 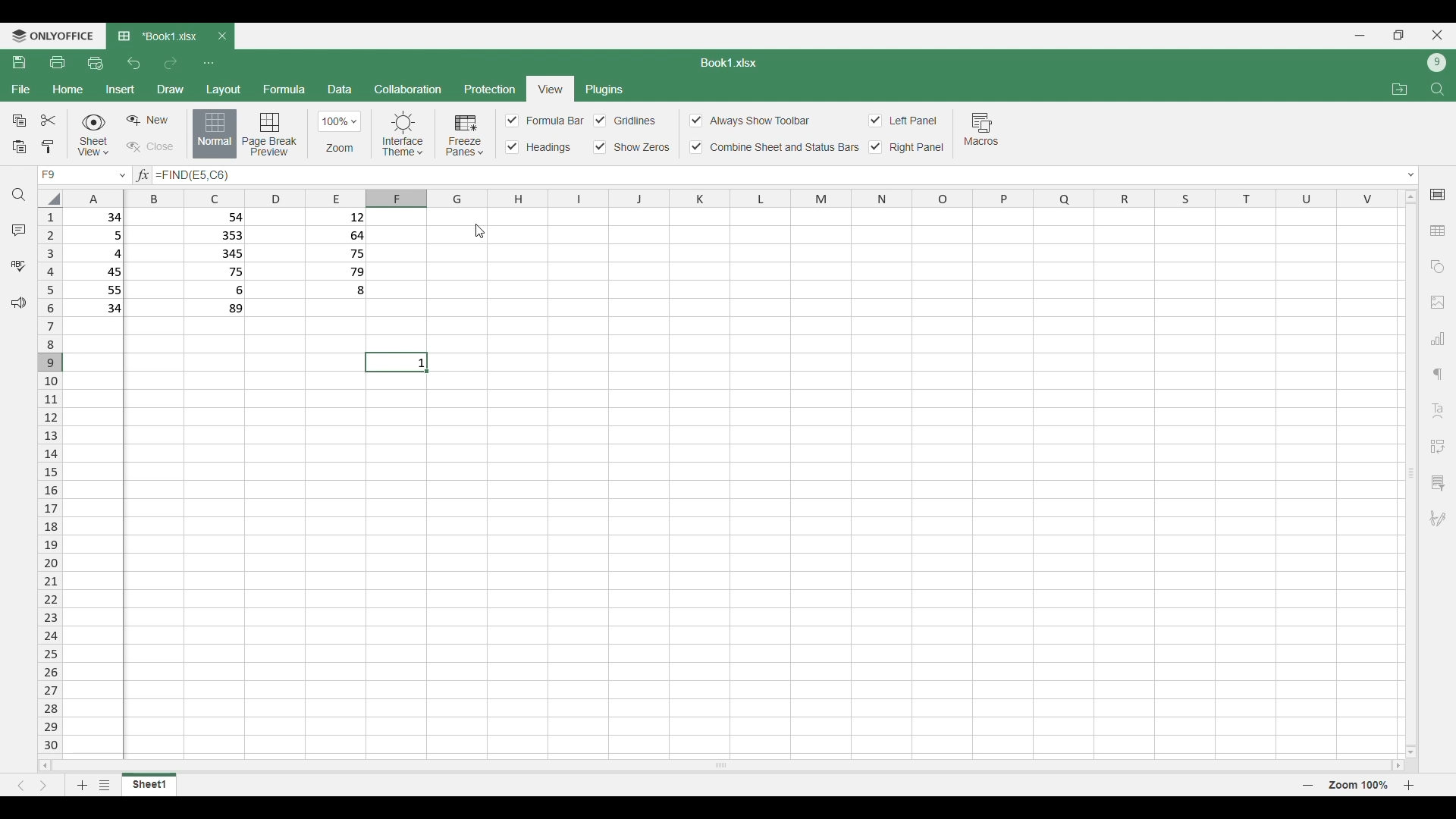 I want to click on , so click(x=539, y=148).